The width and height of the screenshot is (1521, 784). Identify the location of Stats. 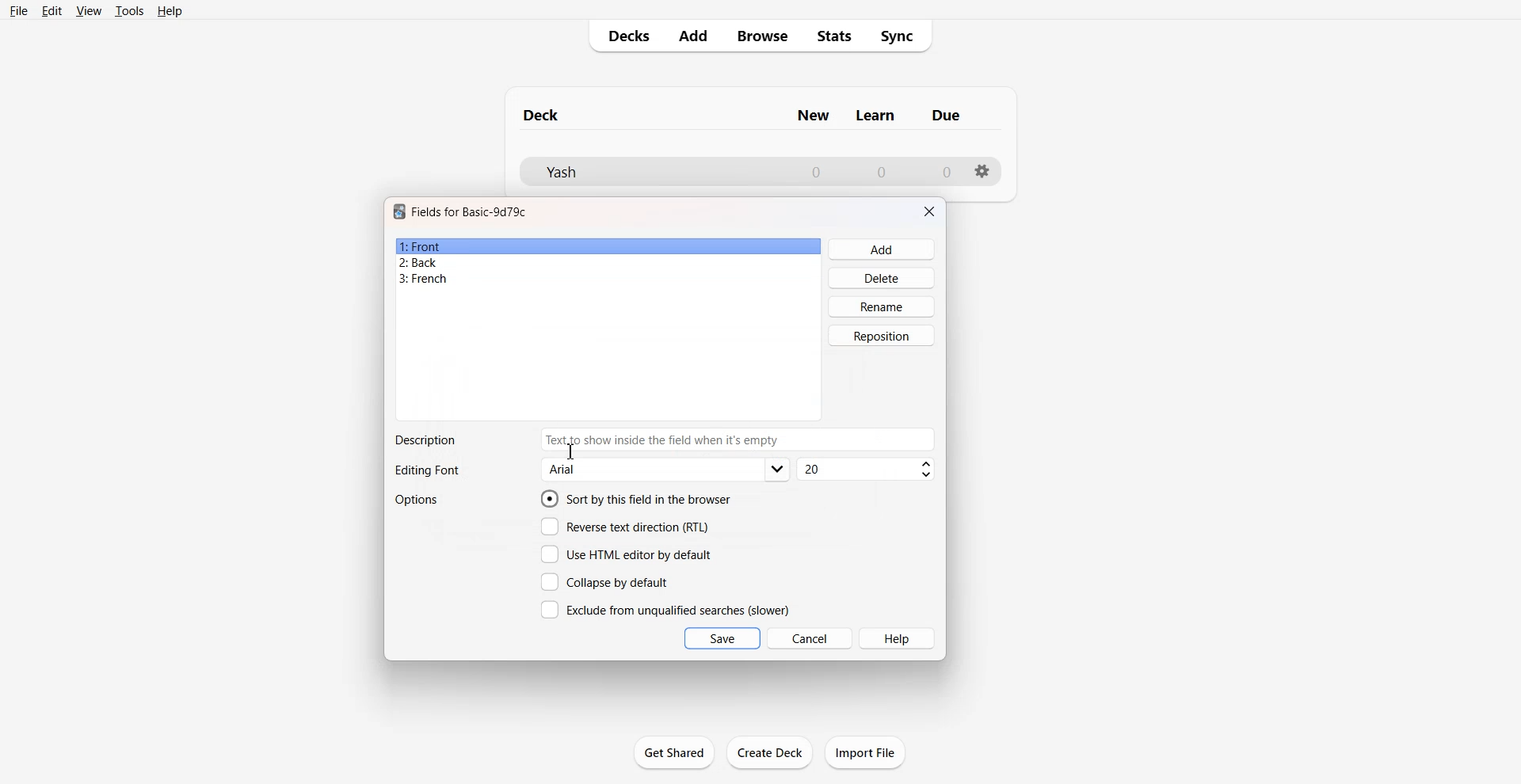
(835, 36).